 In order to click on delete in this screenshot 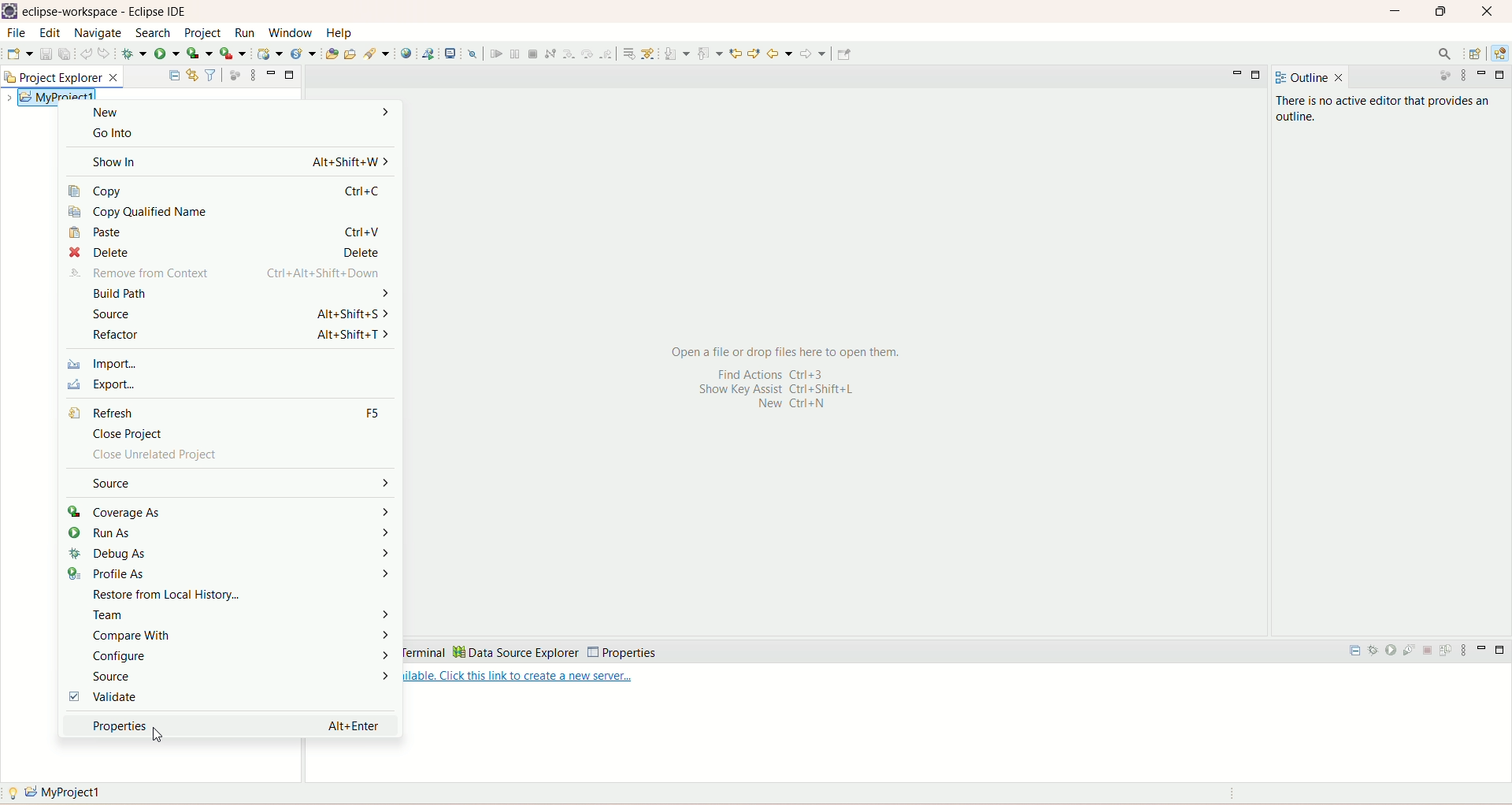, I will do `click(225, 254)`.